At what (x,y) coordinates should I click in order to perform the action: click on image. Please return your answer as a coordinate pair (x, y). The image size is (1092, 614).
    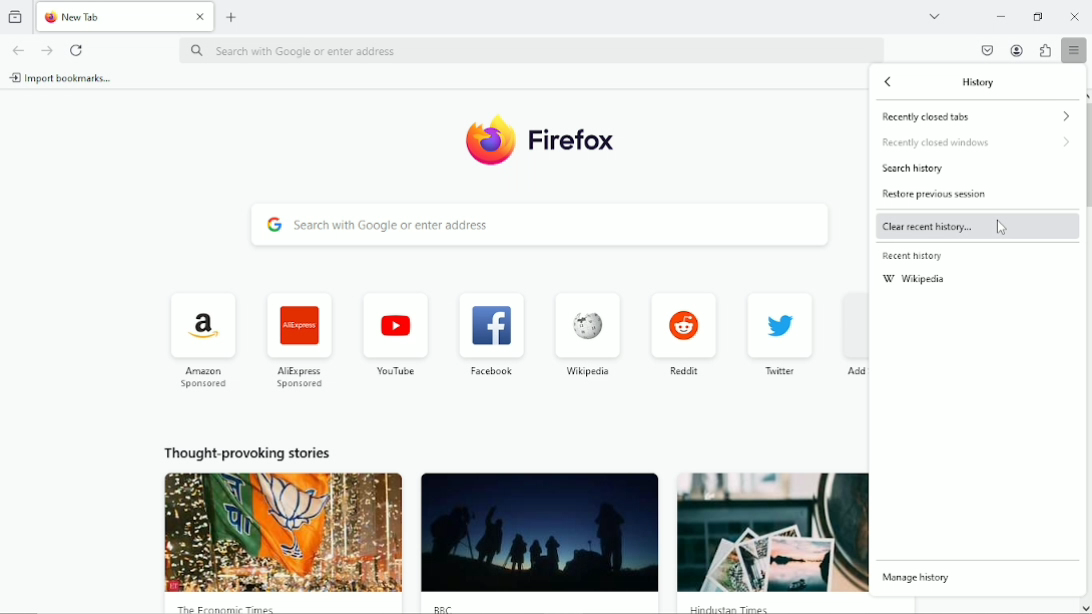
    Looking at the image, I should click on (285, 532).